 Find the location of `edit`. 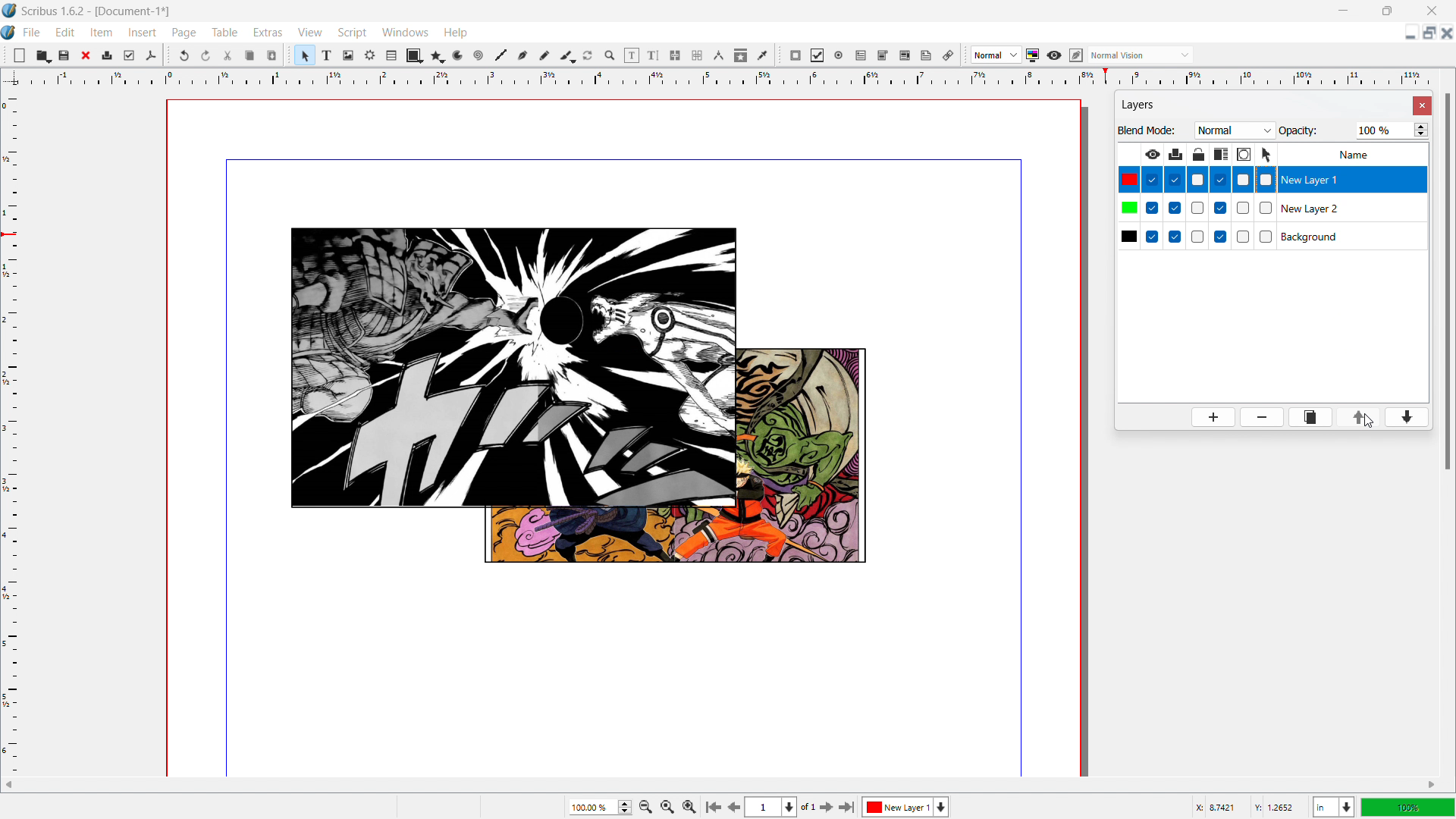

edit is located at coordinates (67, 33).